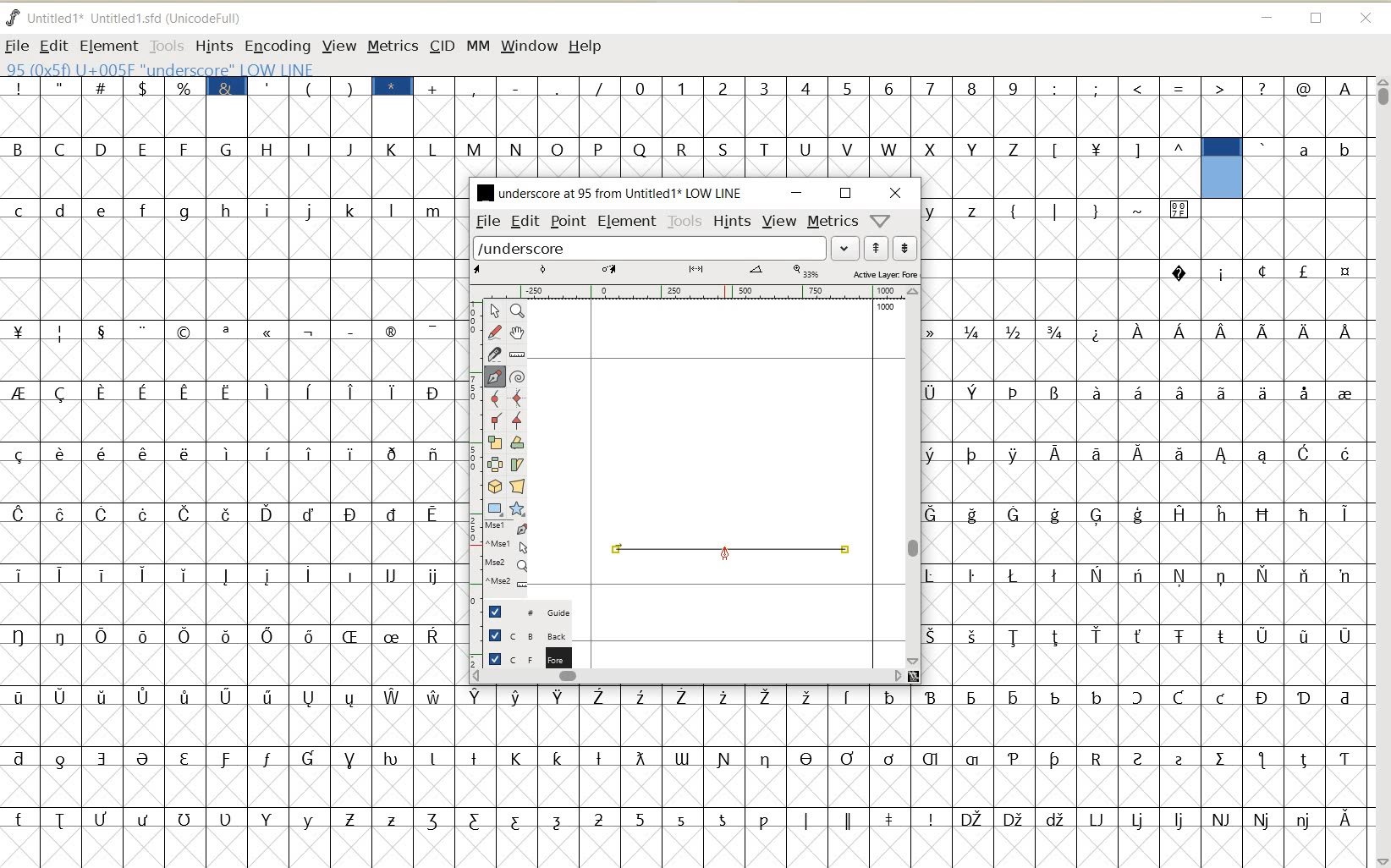 This screenshot has width=1391, height=868. What do you see at coordinates (442, 47) in the screenshot?
I see `CID` at bounding box center [442, 47].